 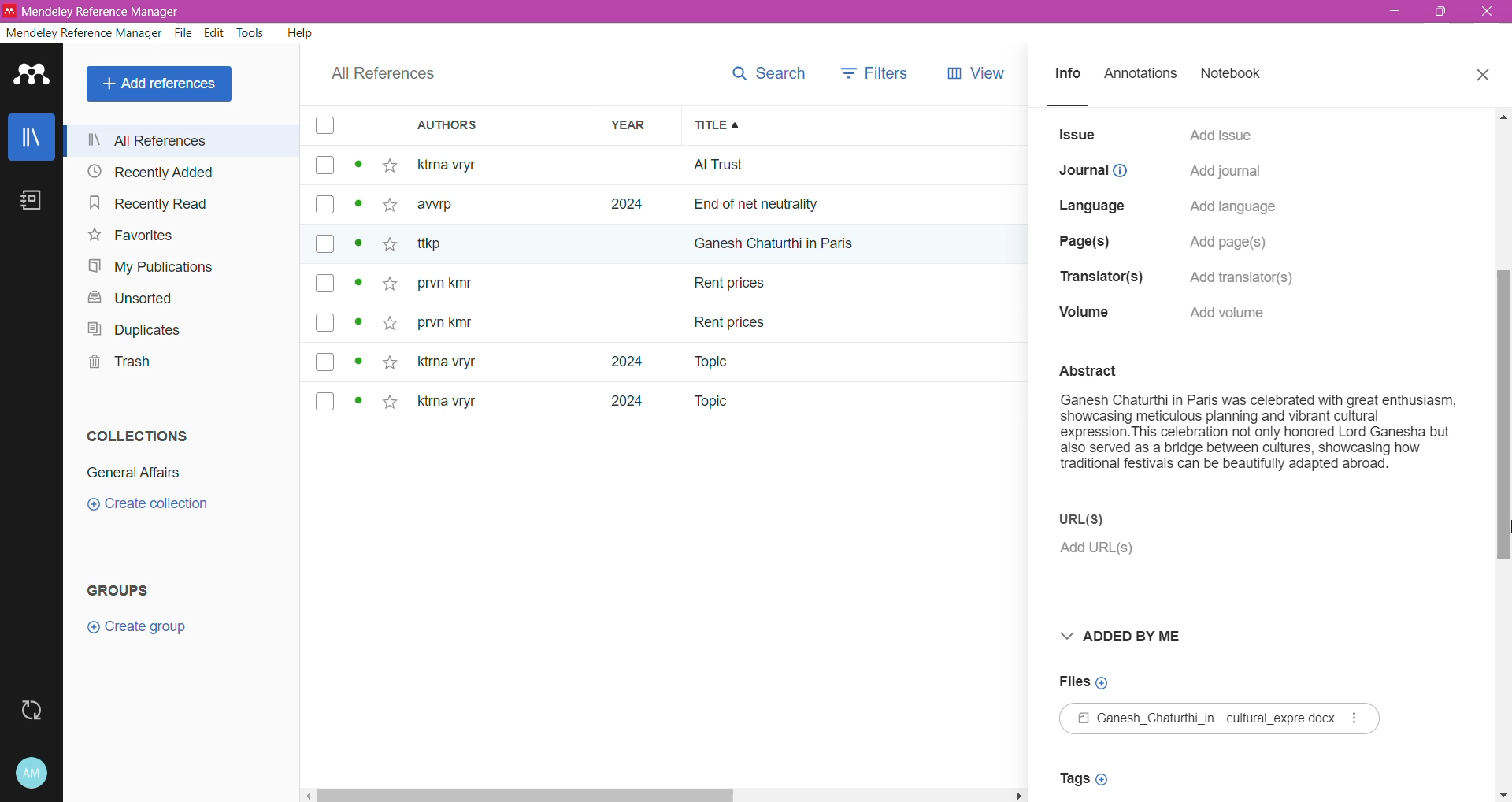 What do you see at coordinates (34, 708) in the screenshot?
I see `Last Sync` at bounding box center [34, 708].